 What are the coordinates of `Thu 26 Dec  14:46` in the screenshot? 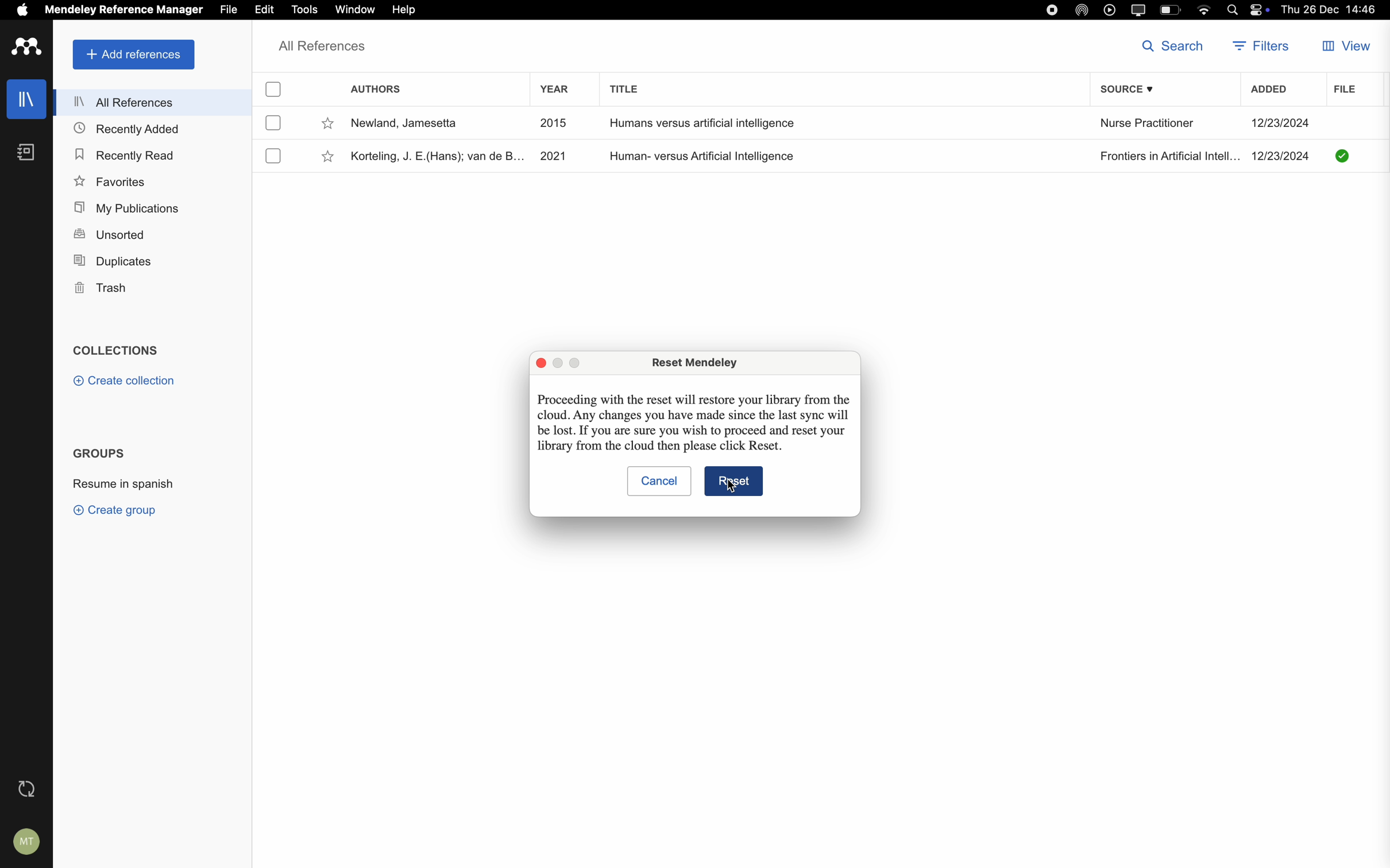 It's located at (1334, 10).